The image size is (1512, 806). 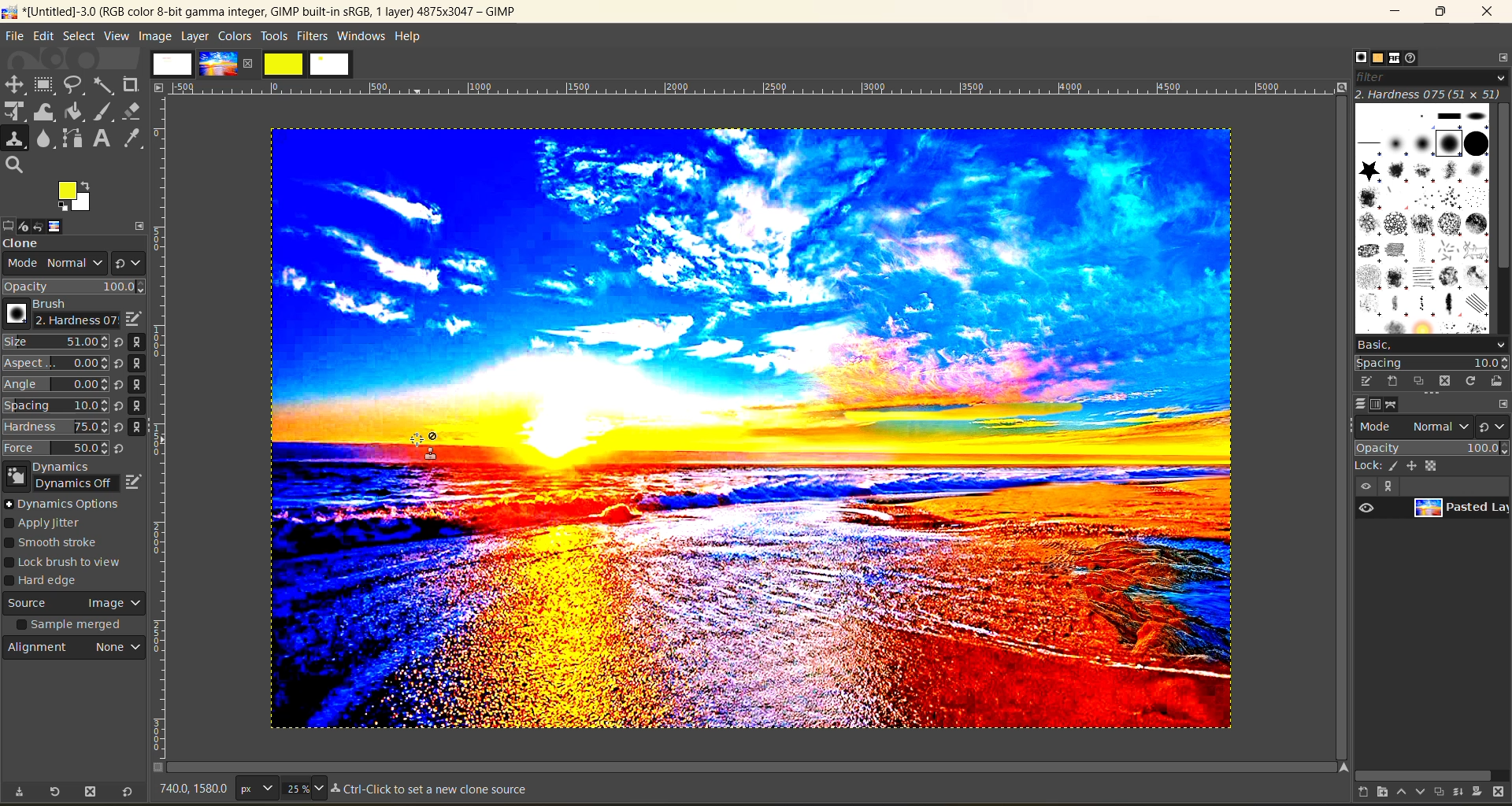 What do you see at coordinates (1355, 405) in the screenshot?
I see `layers` at bounding box center [1355, 405].